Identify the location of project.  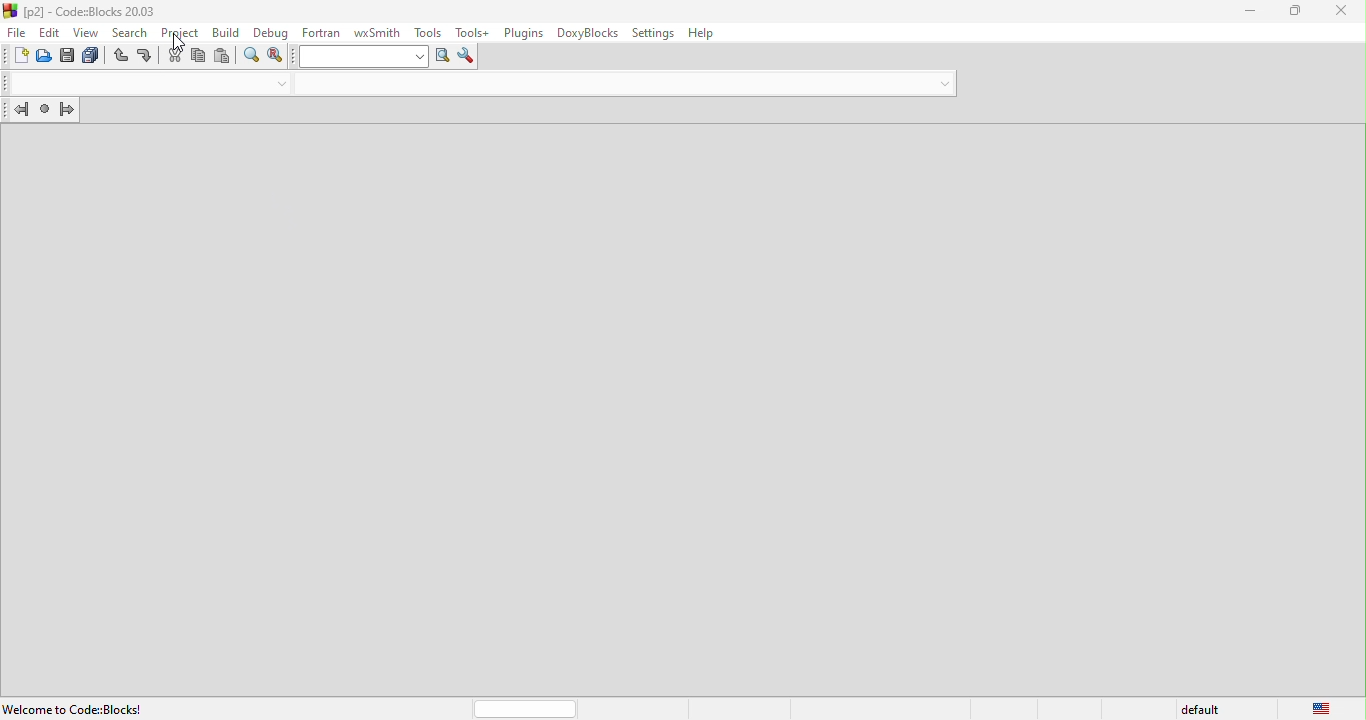
(179, 31).